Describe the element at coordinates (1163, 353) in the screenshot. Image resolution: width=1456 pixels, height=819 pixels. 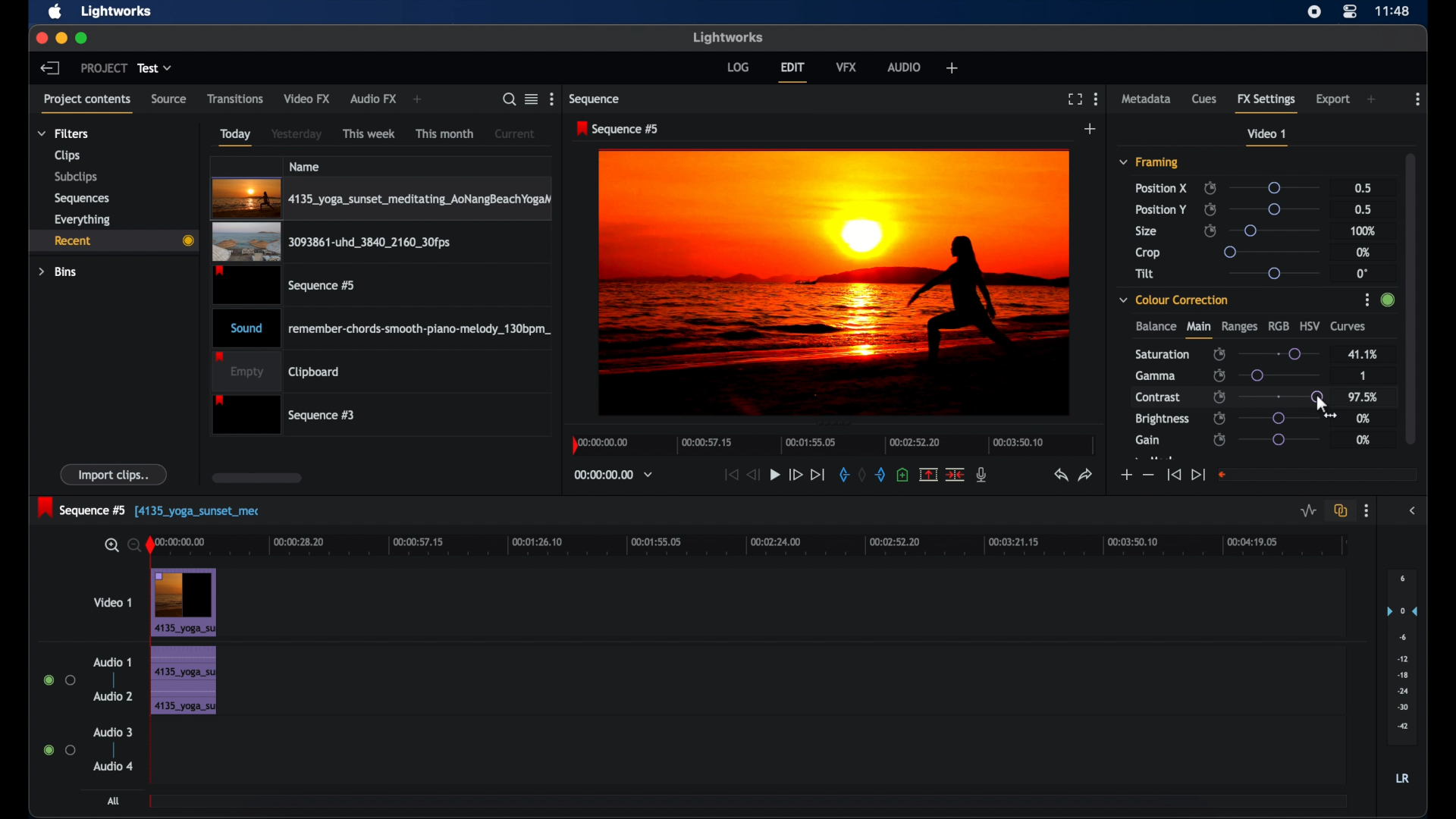
I see `saturation` at that location.